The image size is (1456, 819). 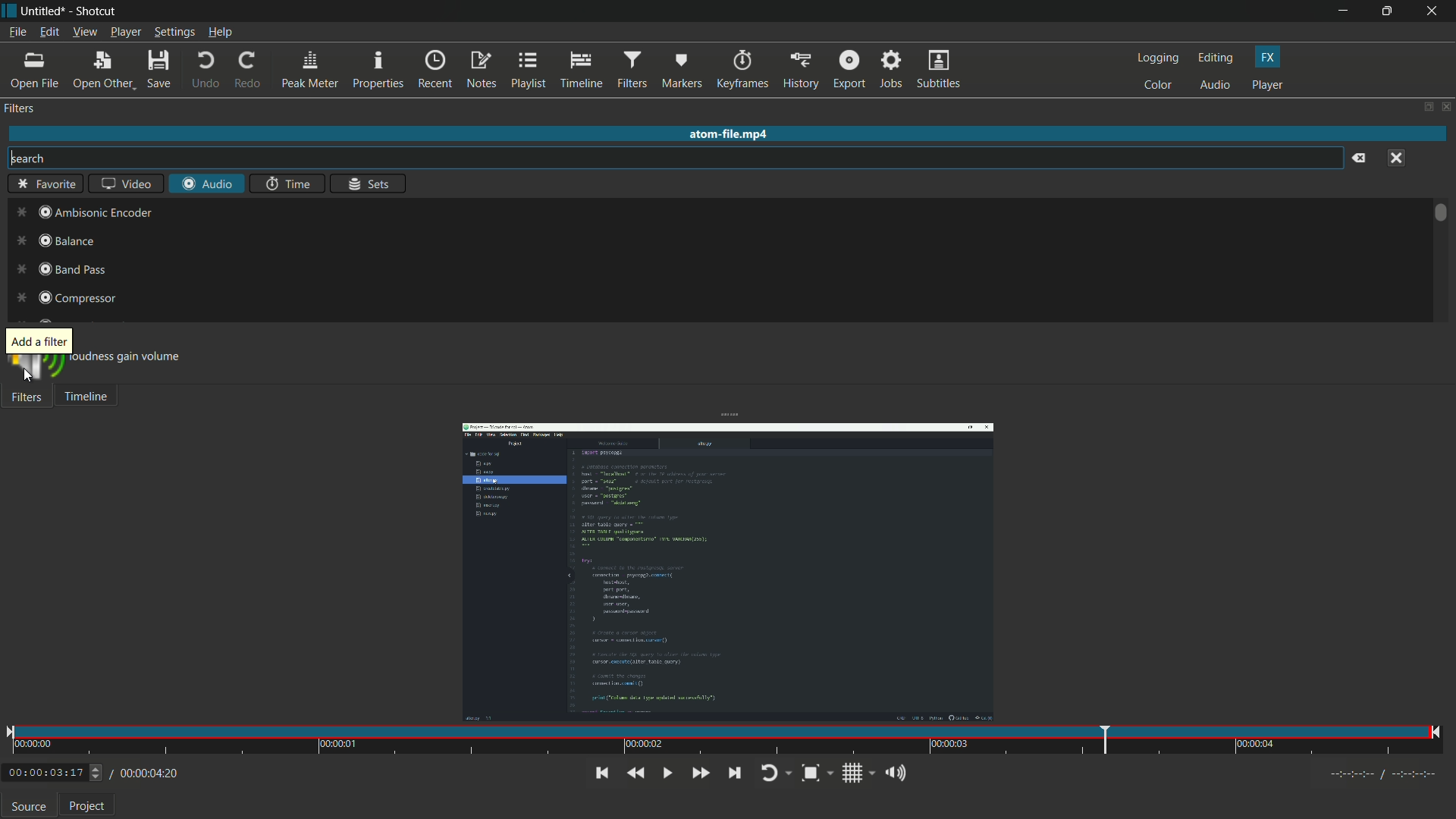 What do you see at coordinates (249, 71) in the screenshot?
I see `redo` at bounding box center [249, 71].